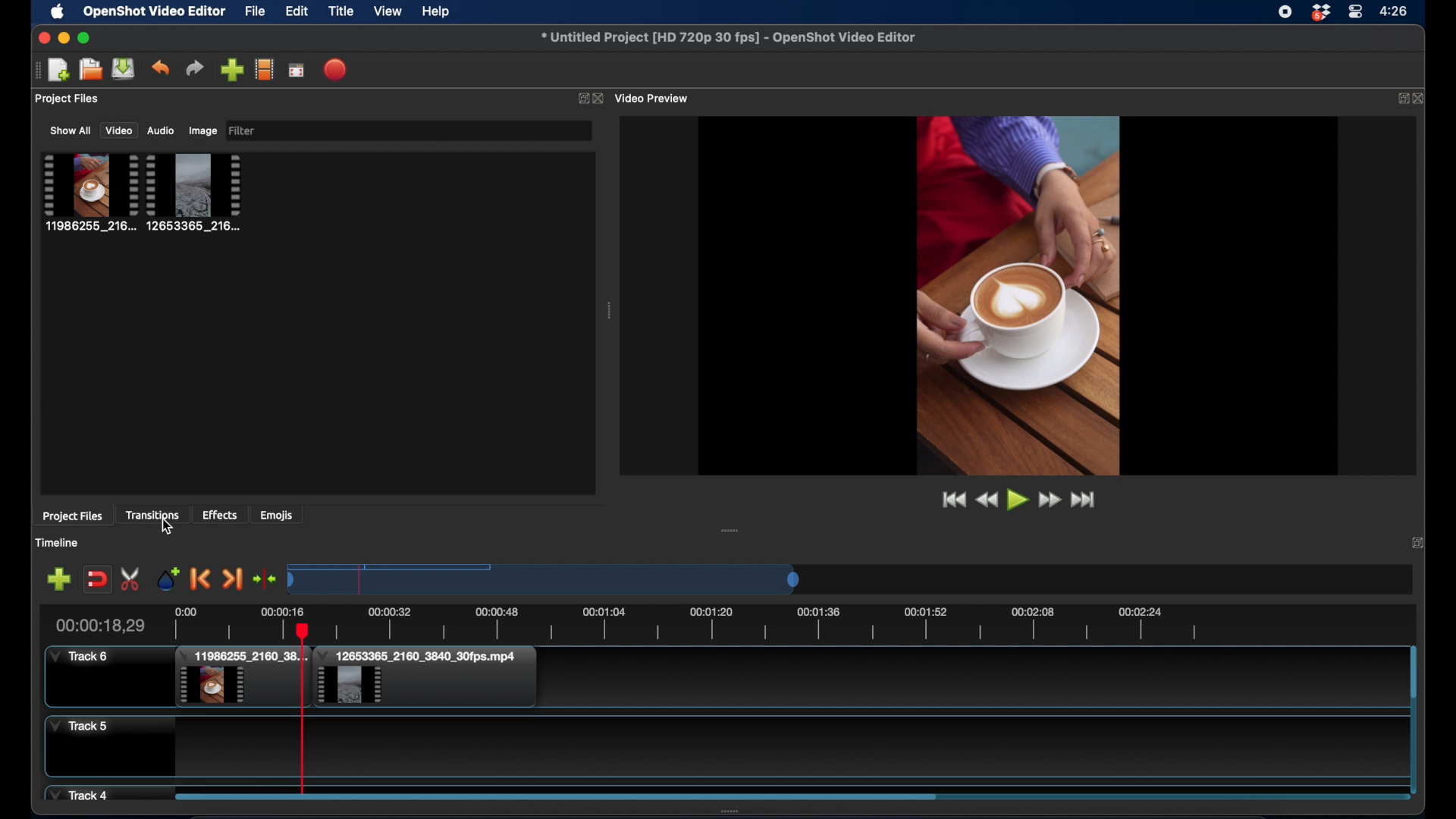 This screenshot has width=1456, height=819. Describe the element at coordinates (1399, 98) in the screenshot. I see `expand` at that location.